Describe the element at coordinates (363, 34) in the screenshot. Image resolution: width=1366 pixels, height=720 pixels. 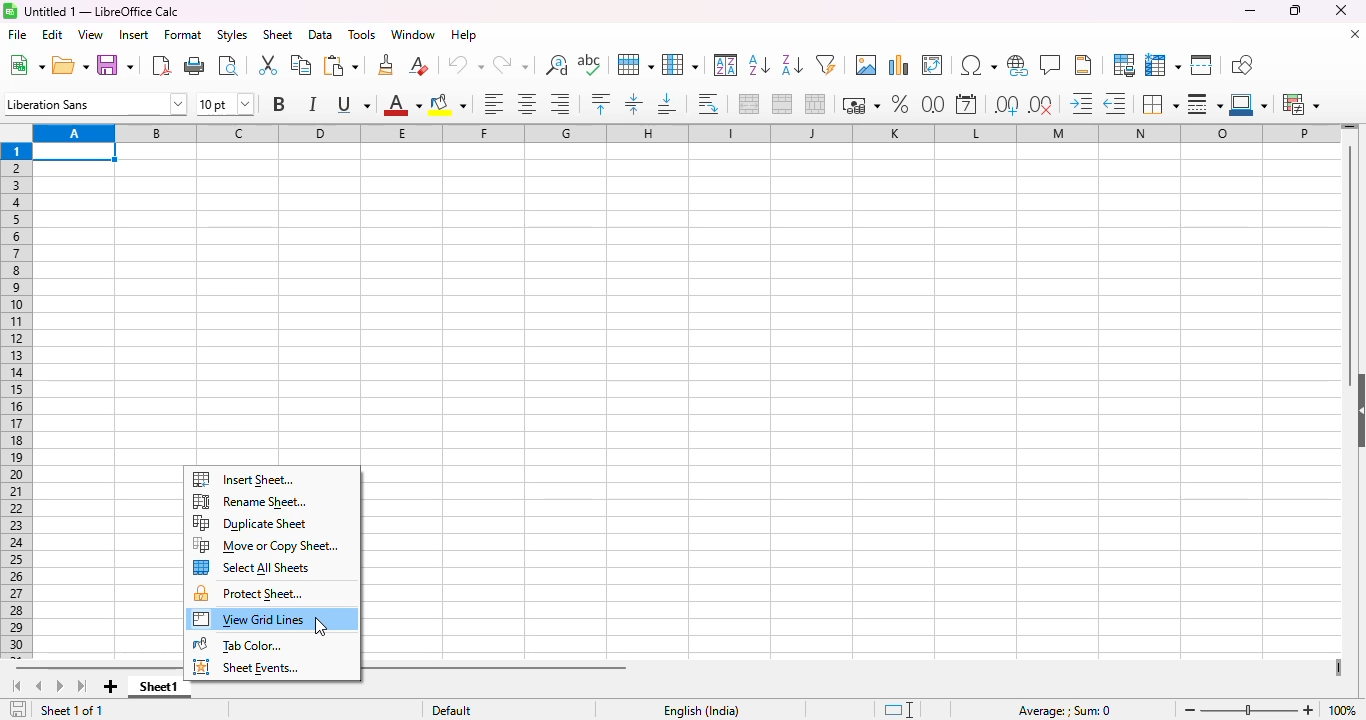
I see `tools` at that location.